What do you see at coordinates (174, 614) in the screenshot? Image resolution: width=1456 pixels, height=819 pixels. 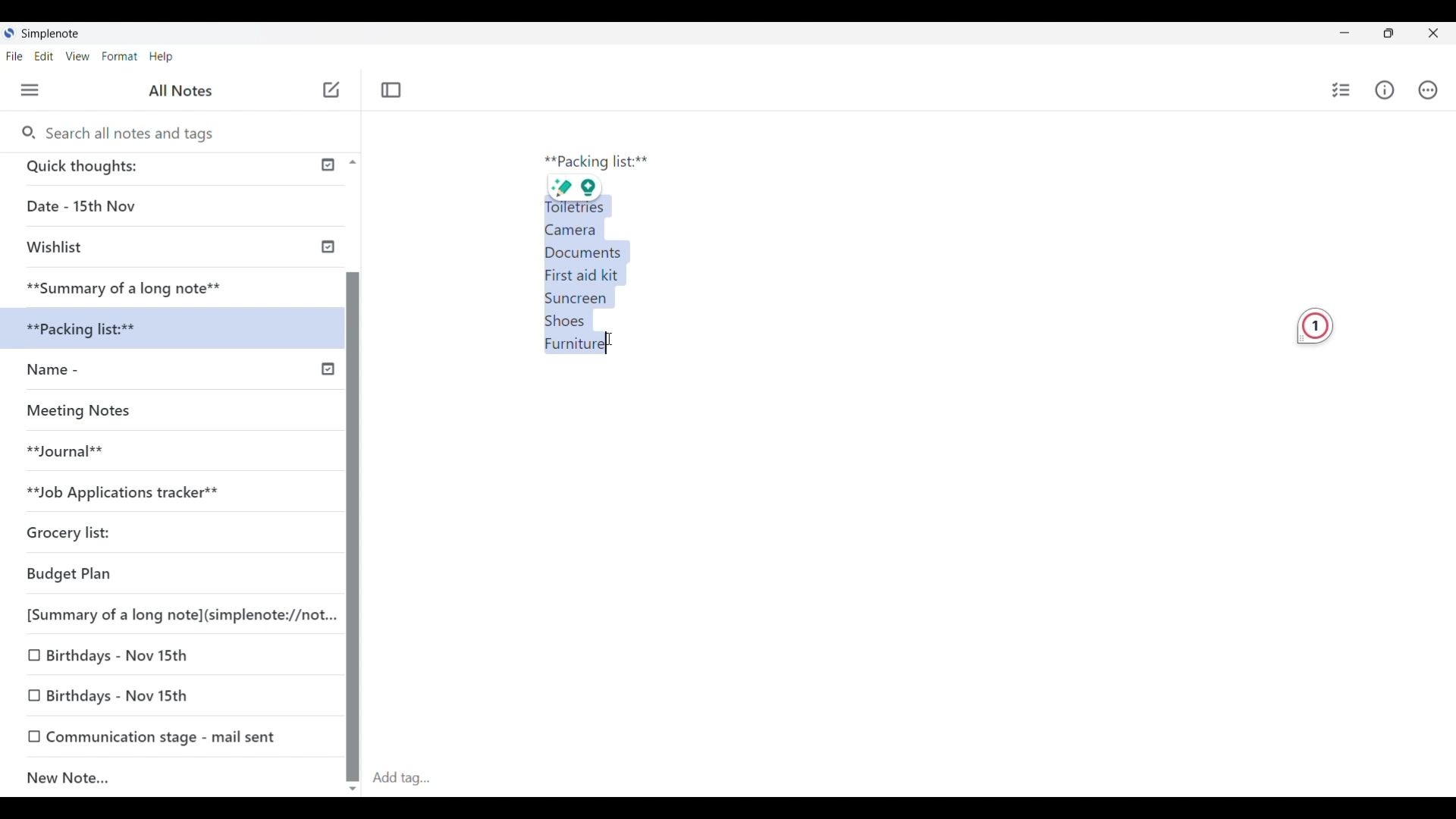 I see `[Summary of a long note](simplenote://not...` at bounding box center [174, 614].